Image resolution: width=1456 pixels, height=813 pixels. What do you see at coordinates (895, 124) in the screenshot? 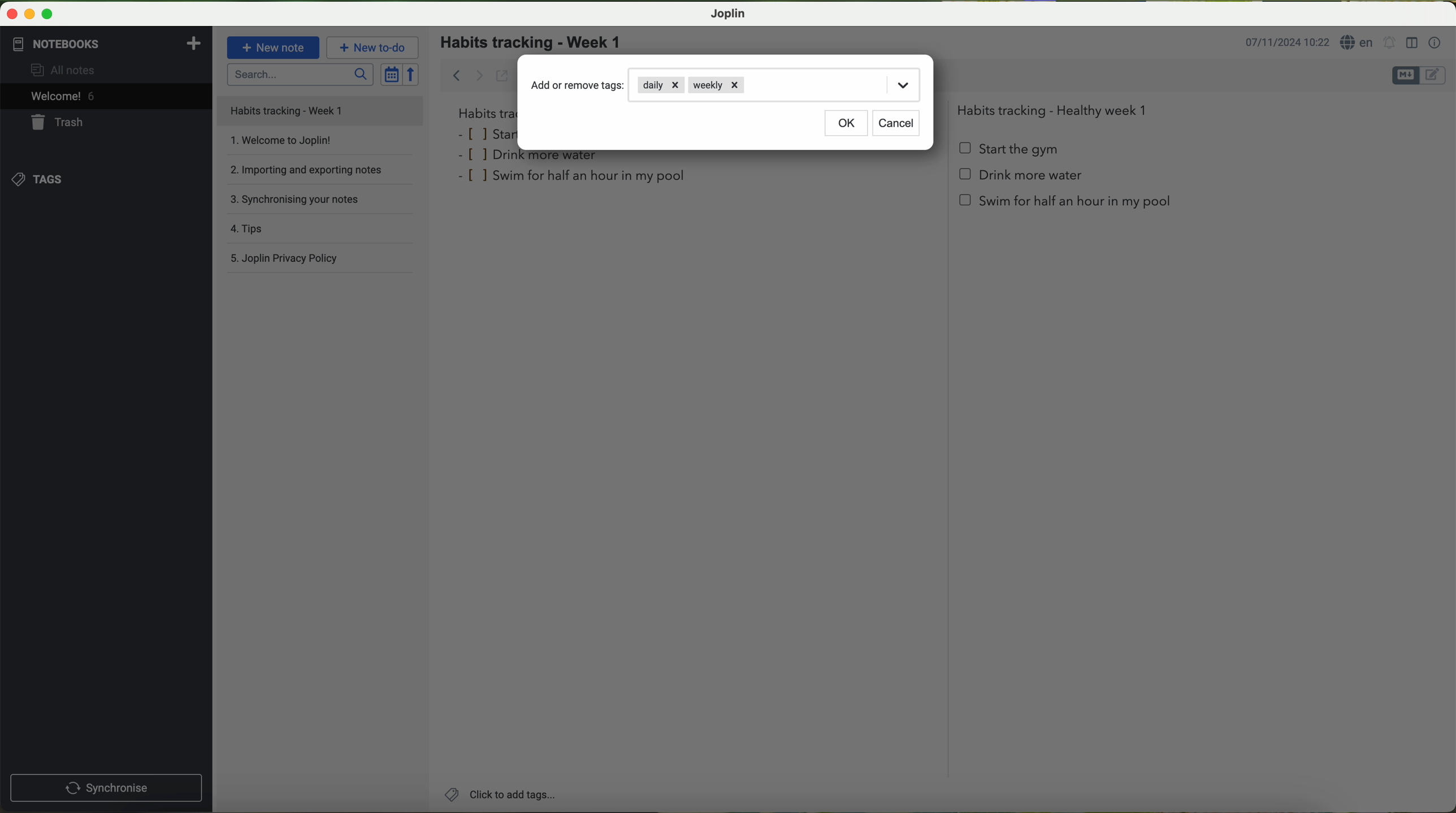
I see `cancel` at bounding box center [895, 124].